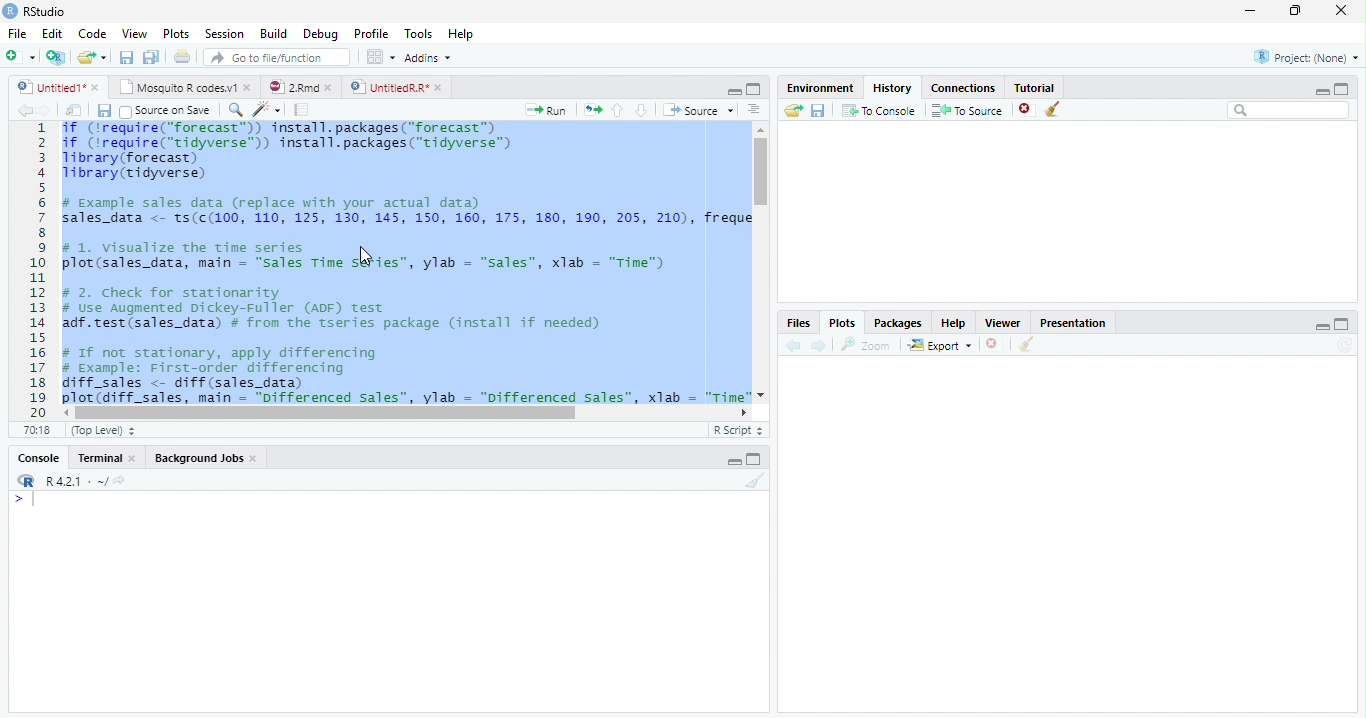 The image size is (1366, 718). Describe the element at coordinates (734, 91) in the screenshot. I see `Minimize` at that location.